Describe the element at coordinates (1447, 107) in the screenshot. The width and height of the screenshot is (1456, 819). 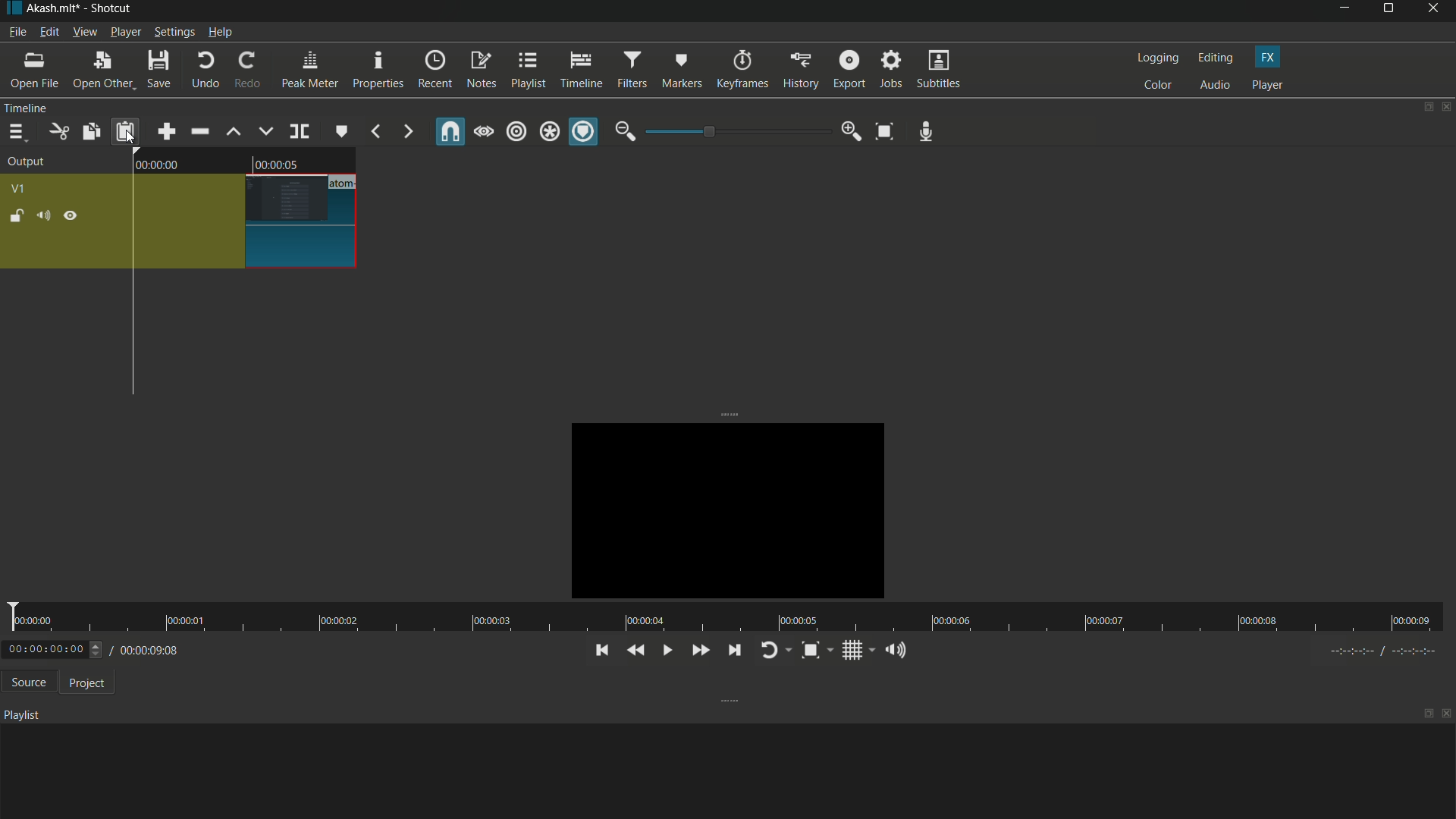
I see `close timeline` at that location.